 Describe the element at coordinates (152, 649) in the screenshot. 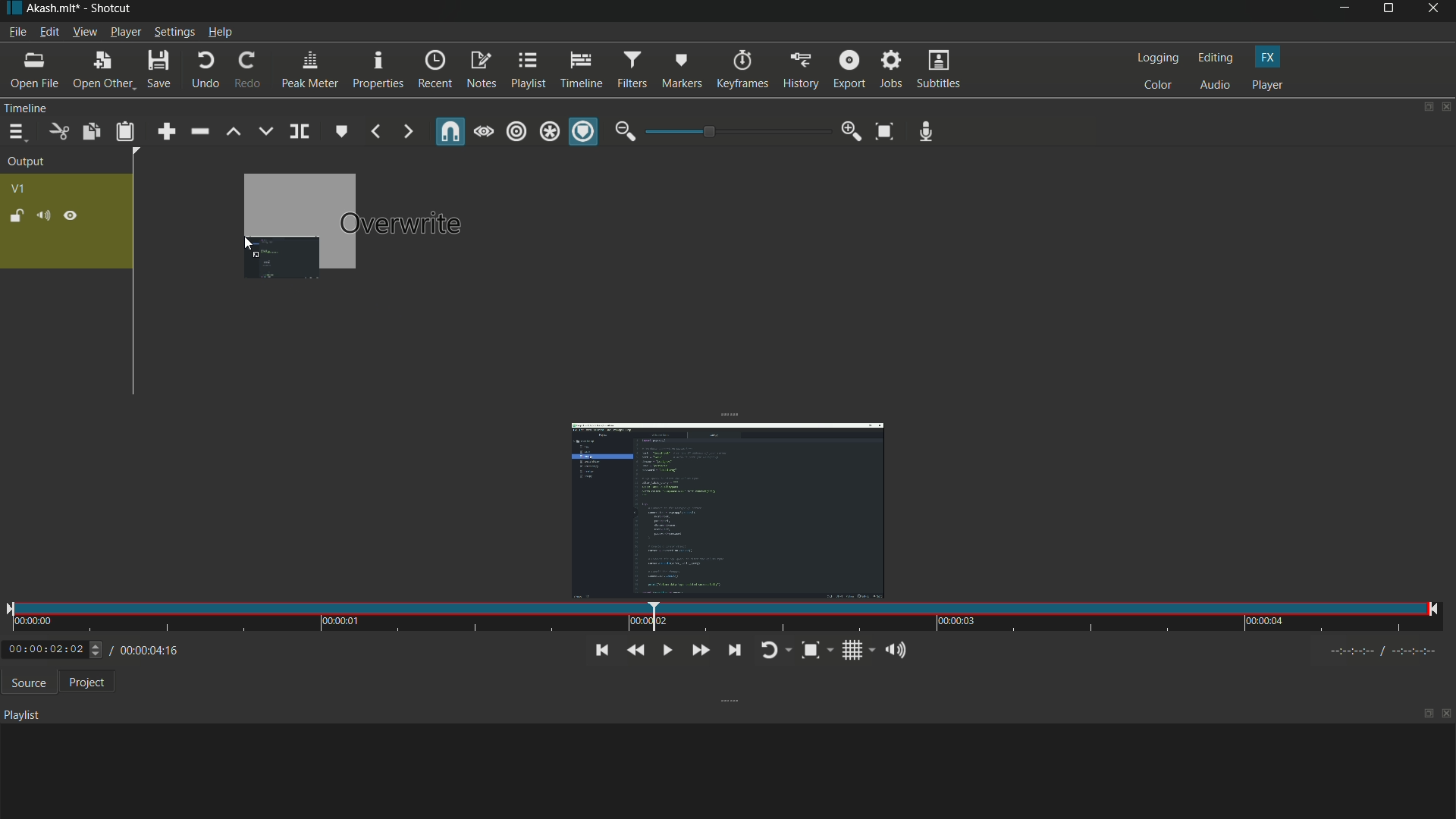

I see ` / 00:00:04:16` at that location.